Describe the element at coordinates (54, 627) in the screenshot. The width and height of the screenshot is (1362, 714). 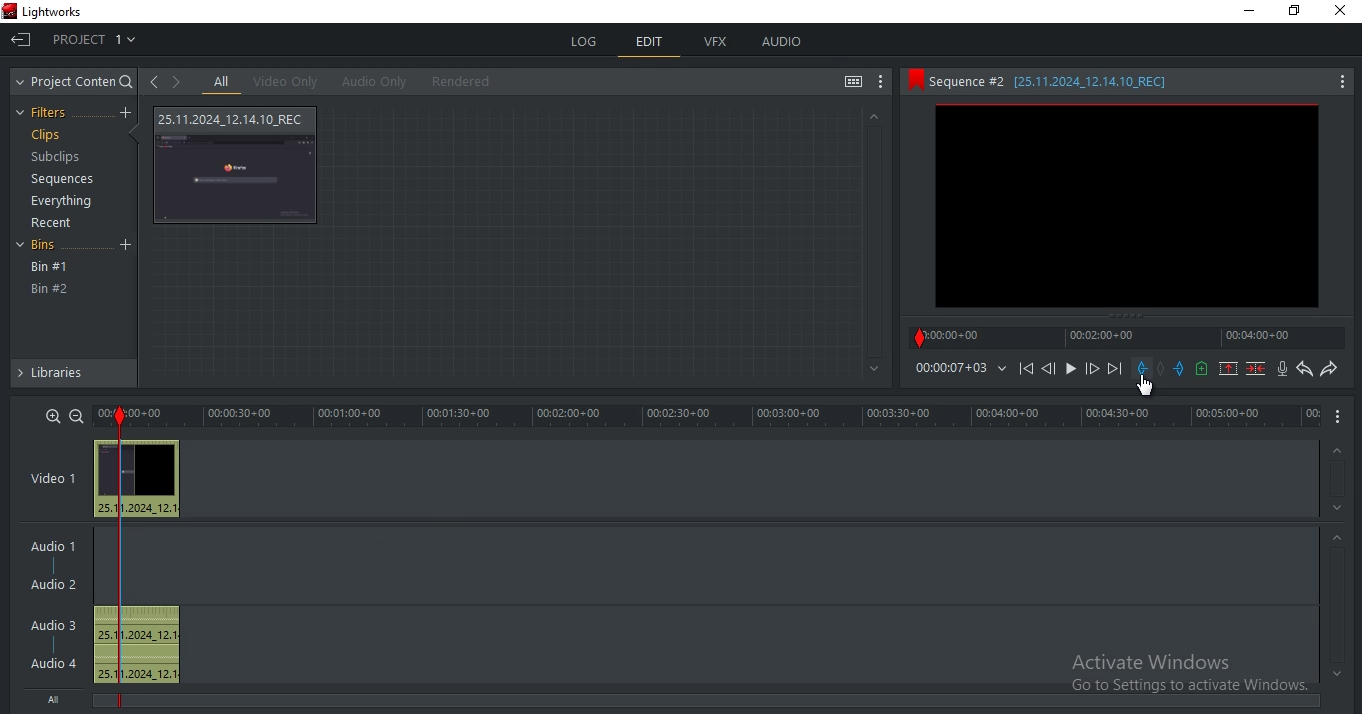
I see ` Audio 3` at that location.